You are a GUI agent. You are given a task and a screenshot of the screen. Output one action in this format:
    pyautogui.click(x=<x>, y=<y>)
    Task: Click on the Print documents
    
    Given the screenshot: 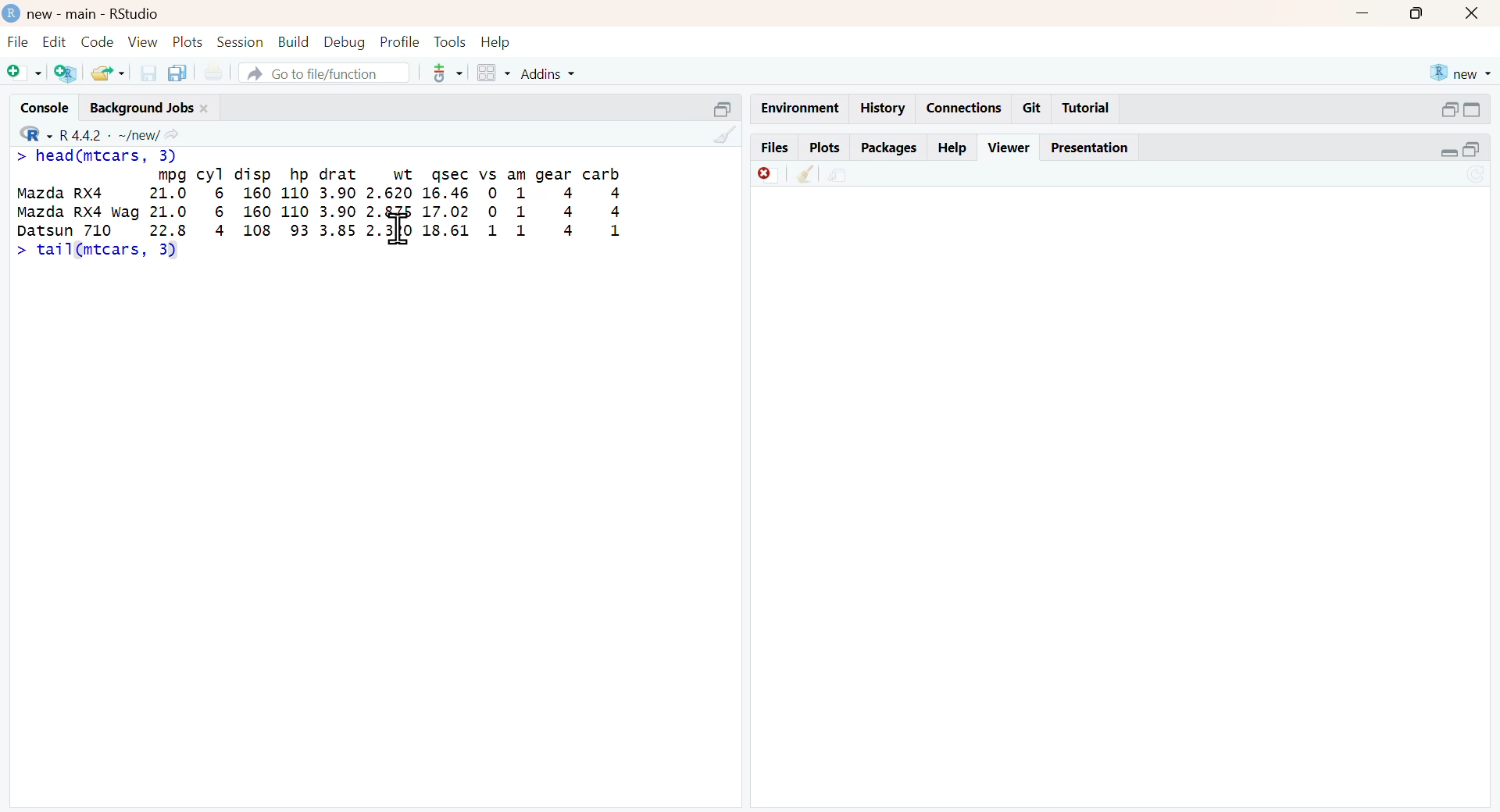 What is the action you would take?
    pyautogui.click(x=217, y=69)
    